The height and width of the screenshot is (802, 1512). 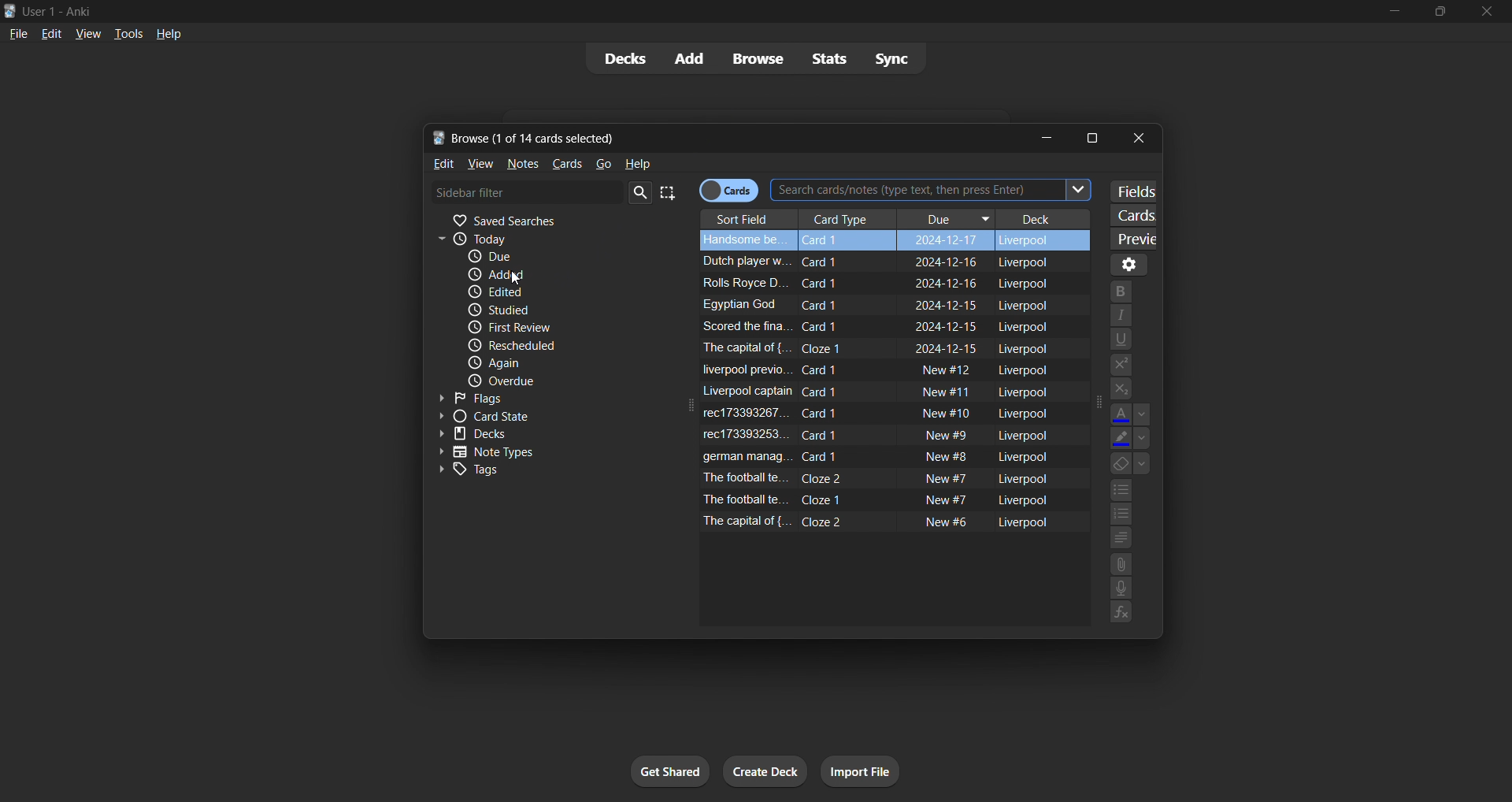 I want to click on liverpool captain Card 1 New #11 Liverpool, so click(x=877, y=392).